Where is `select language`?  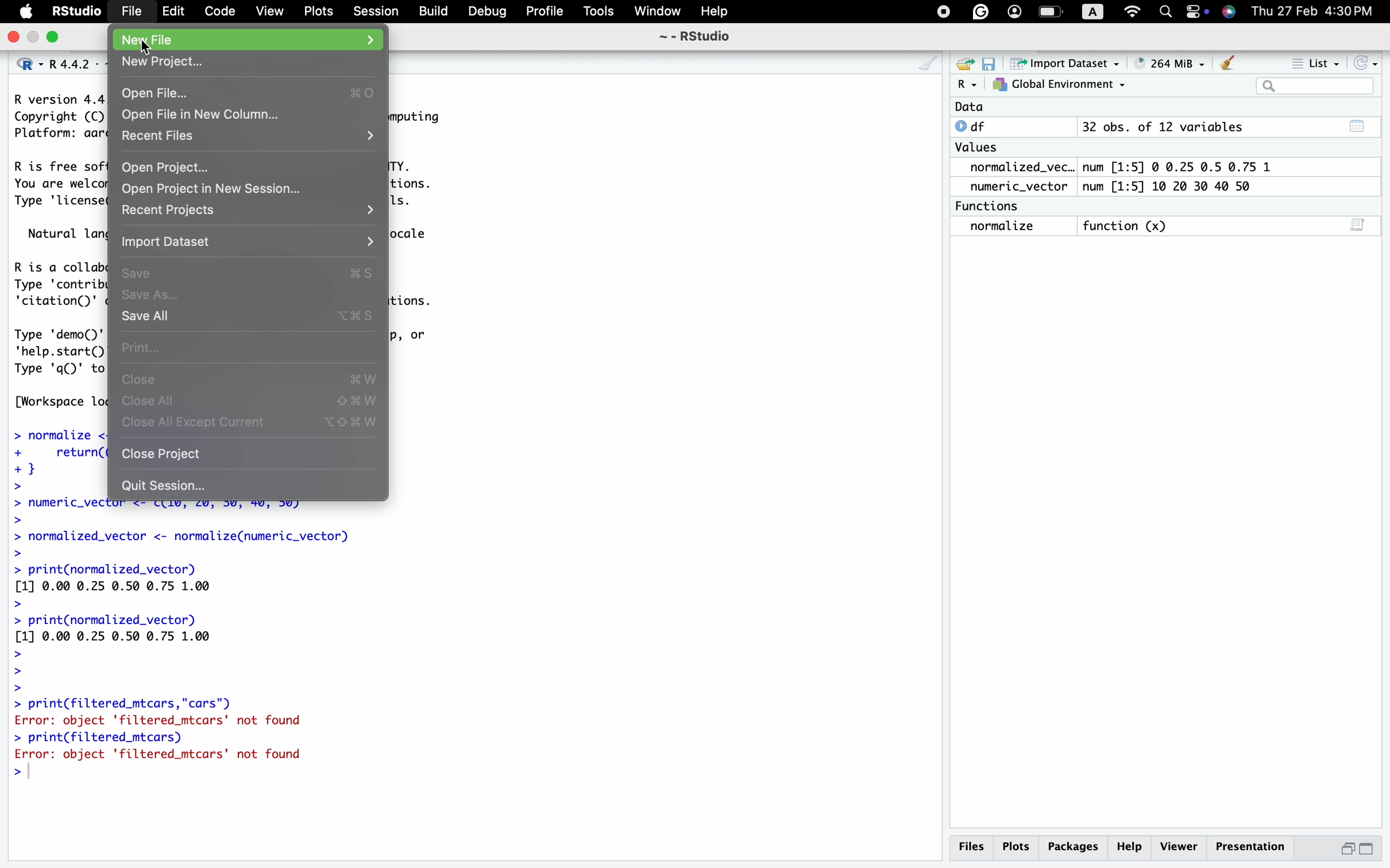
select language is located at coordinates (967, 85).